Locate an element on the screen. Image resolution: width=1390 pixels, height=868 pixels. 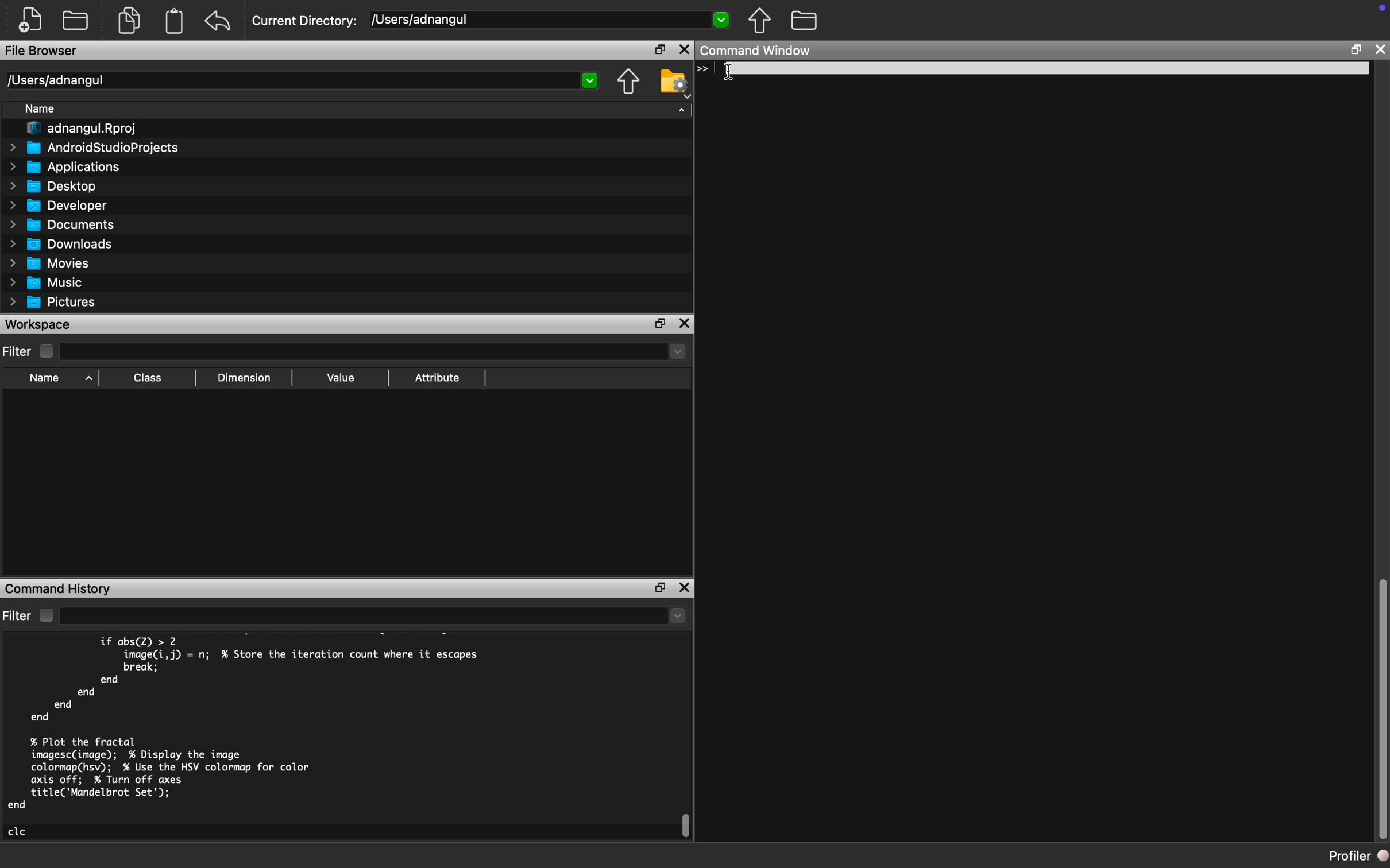
if abs(Z) > 2
image(i,j) = n; % Store the iteration count where it escapes
break;
end
end
end
end
% Plot the fractal
imagesc(image); % Display the image
colormapChsv); % Use the HSV colormap for color
axis off; % Turn off axes
title('Mandelbrot Set');
end is located at coordinates (248, 723).